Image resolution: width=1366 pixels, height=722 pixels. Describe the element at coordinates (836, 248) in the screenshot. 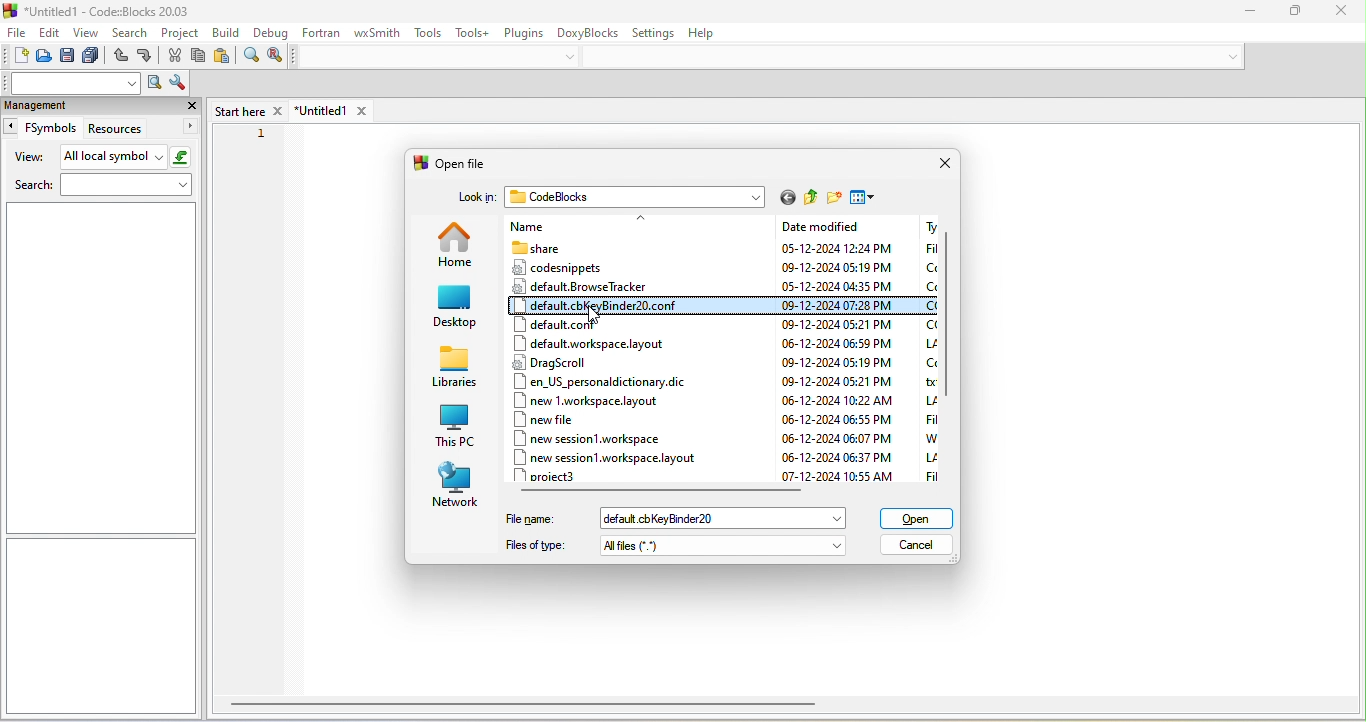

I see `date ` at that location.